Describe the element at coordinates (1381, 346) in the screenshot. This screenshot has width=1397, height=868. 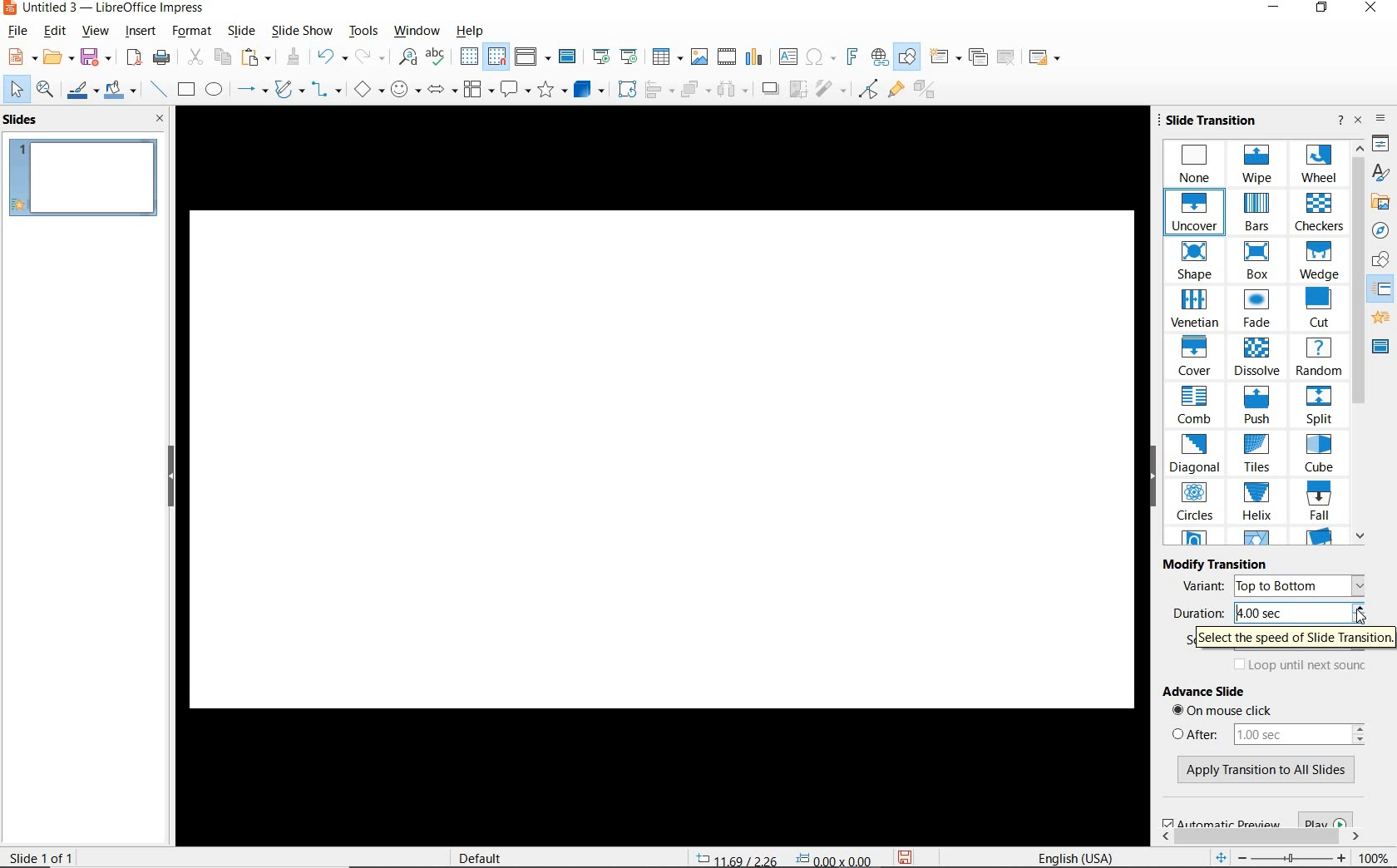
I see `master slide` at that location.